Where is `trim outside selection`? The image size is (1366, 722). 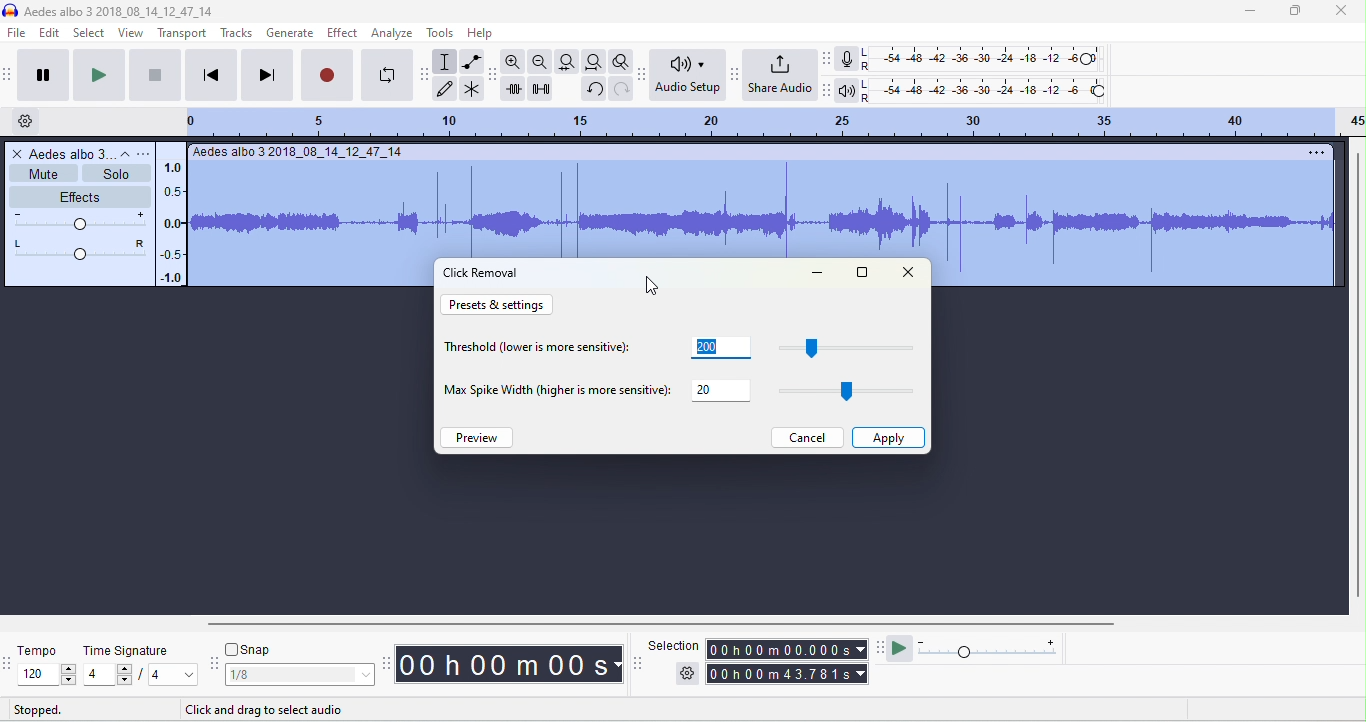 trim outside selection is located at coordinates (515, 88).